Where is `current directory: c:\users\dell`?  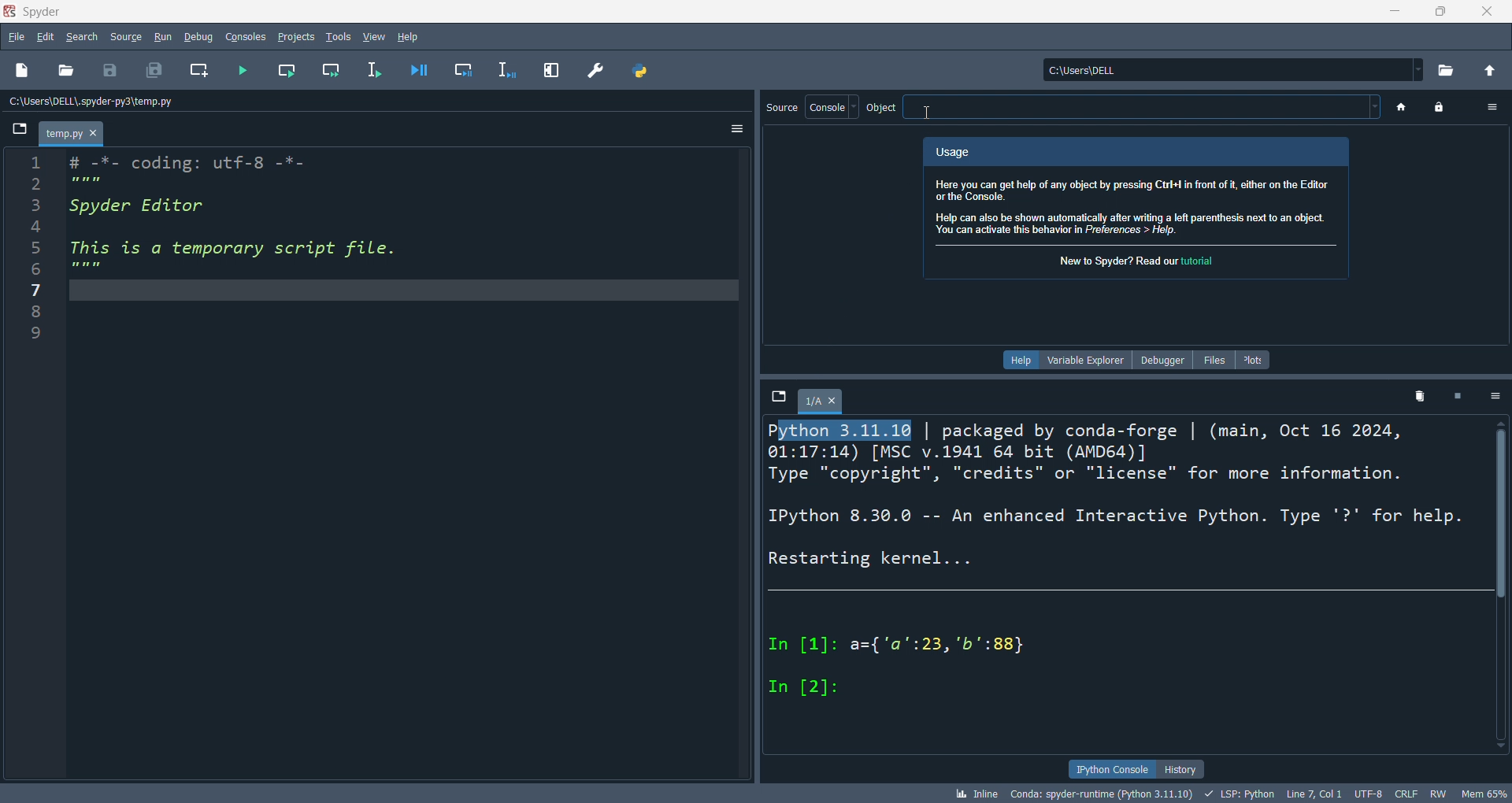
current directory: c:\users\dell is located at coordinates (1227, 72).